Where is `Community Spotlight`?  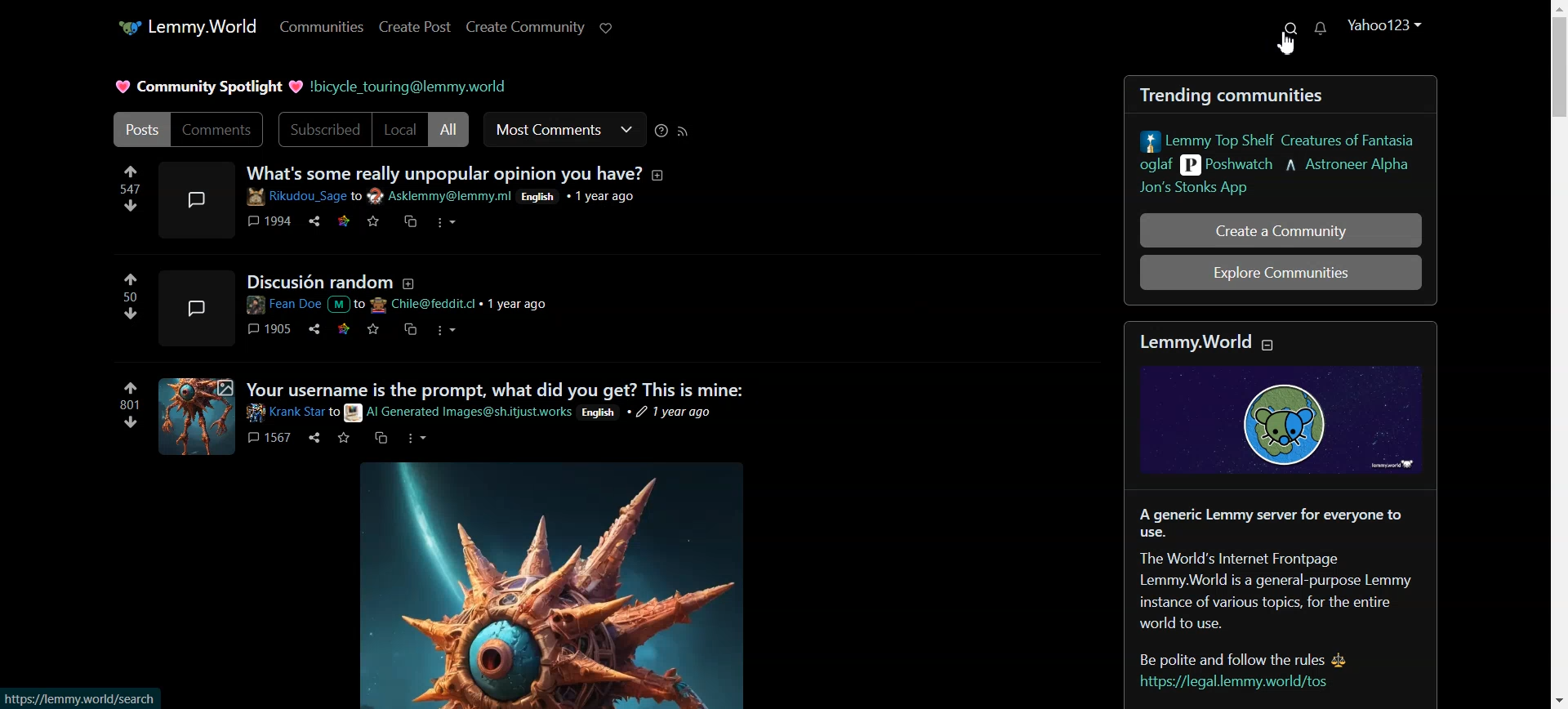 Community Spotlight is located at coordinates (209, 86).